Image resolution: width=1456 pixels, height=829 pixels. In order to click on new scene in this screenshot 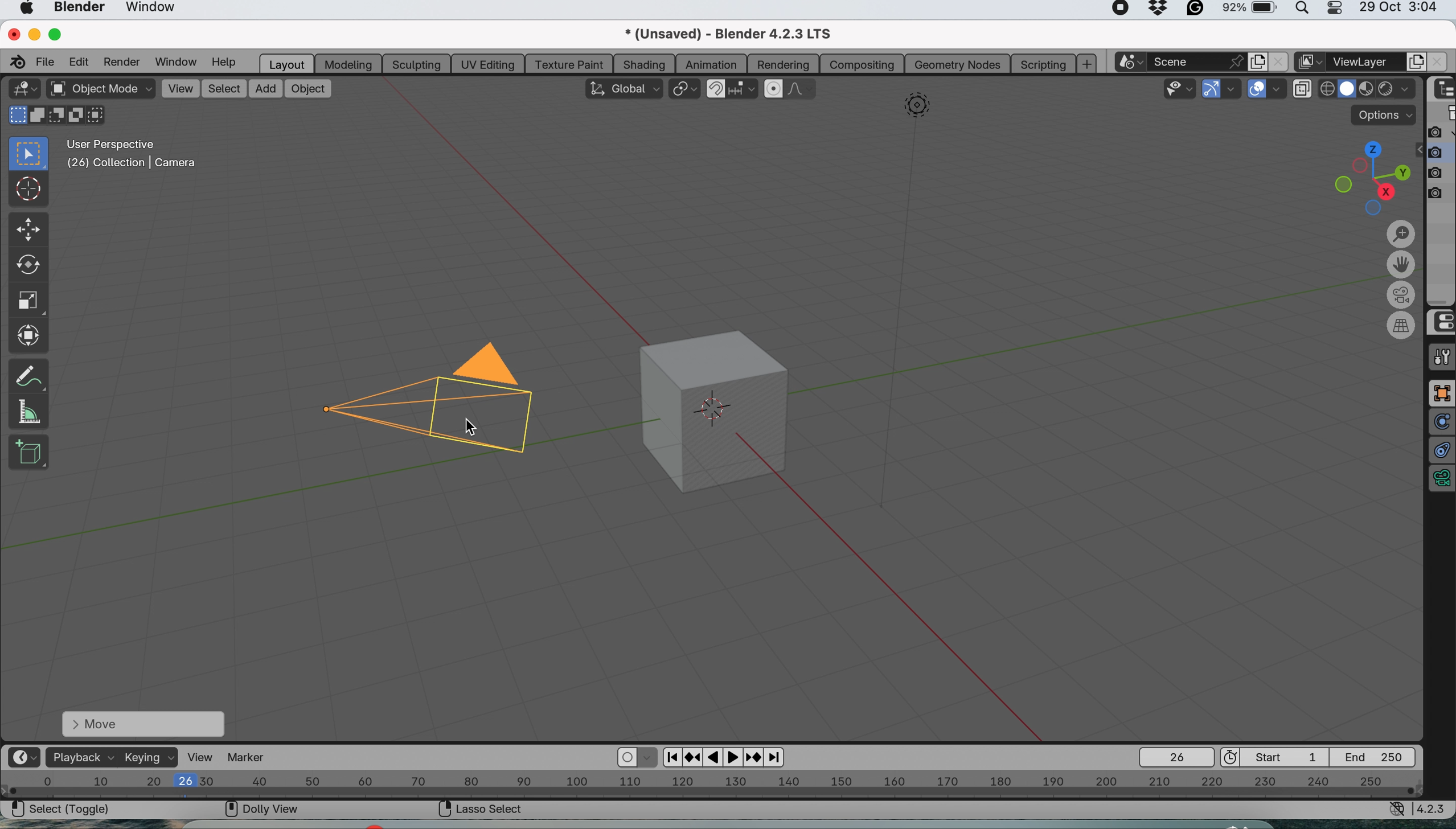, I will do `click(1256, 60)`.